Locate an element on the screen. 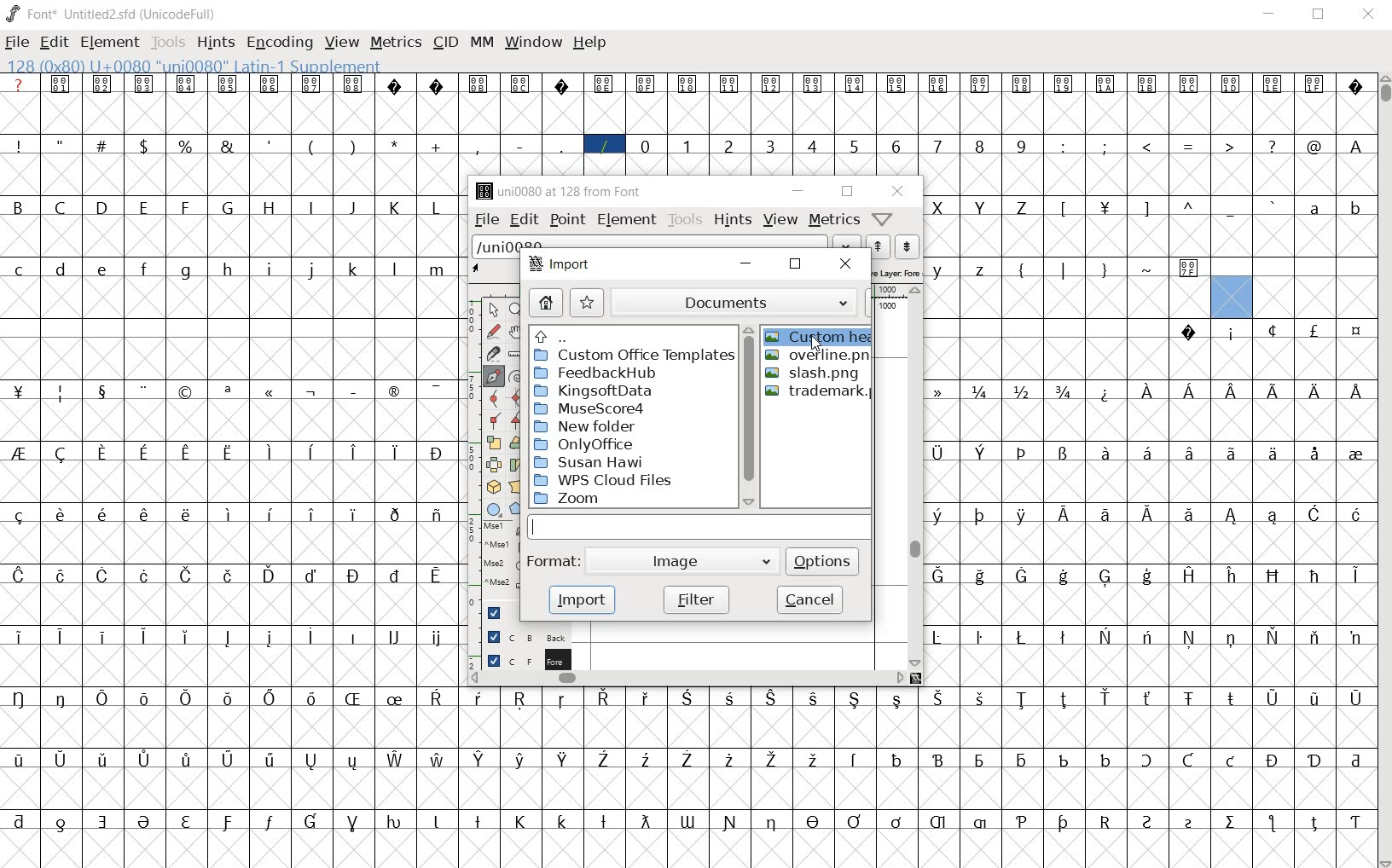  glyph is located at coordinates (143, 146).